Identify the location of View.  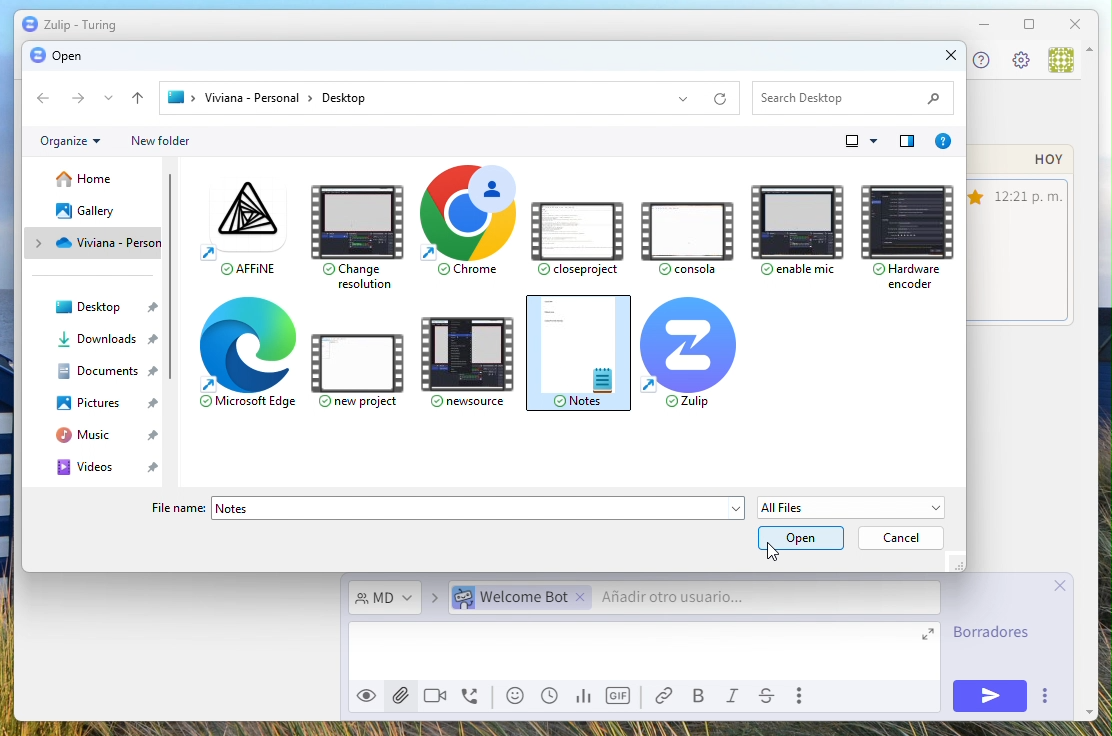
(864, 141).